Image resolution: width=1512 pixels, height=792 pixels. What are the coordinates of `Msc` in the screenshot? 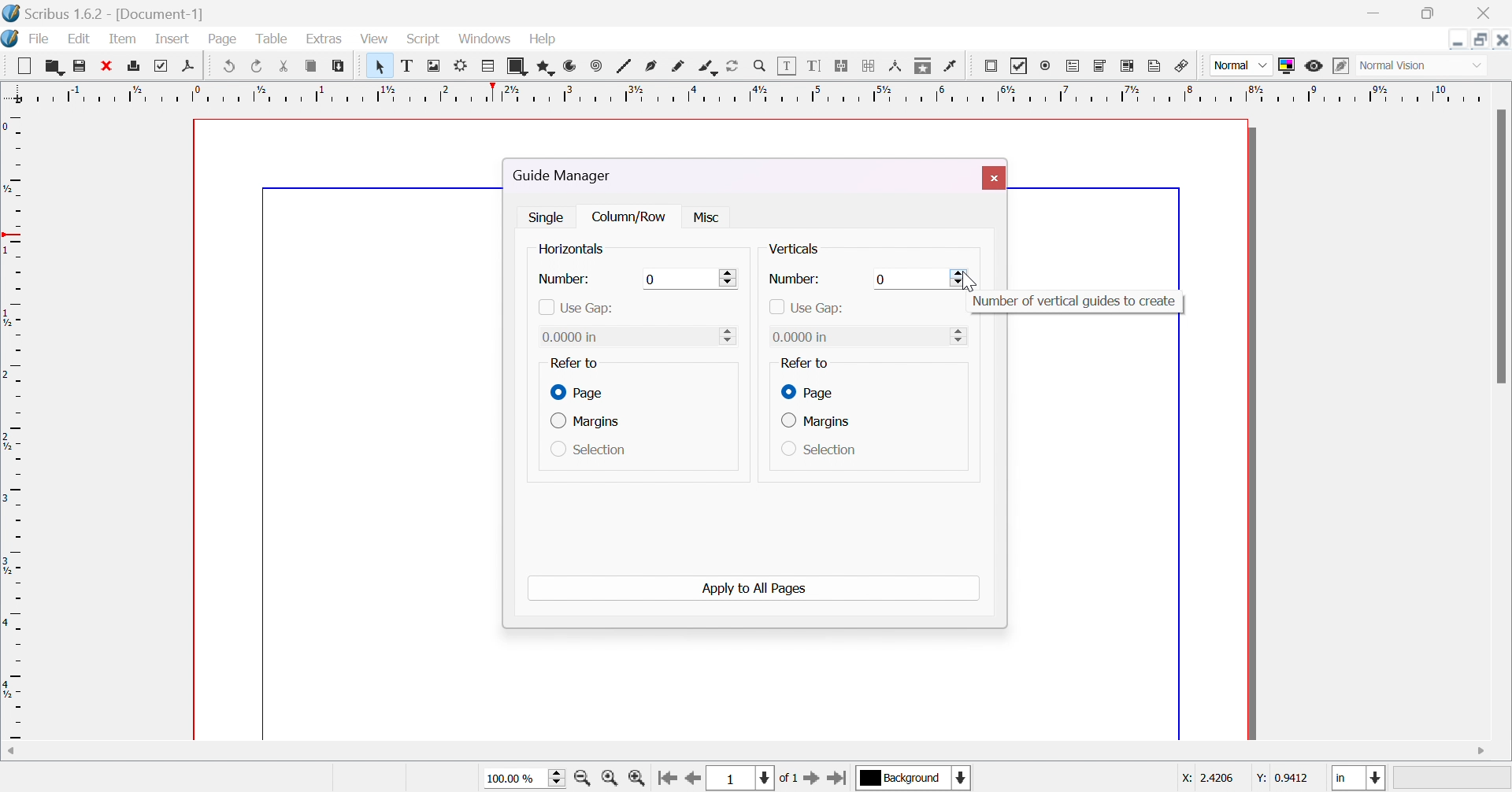 It's located at (704, 218).